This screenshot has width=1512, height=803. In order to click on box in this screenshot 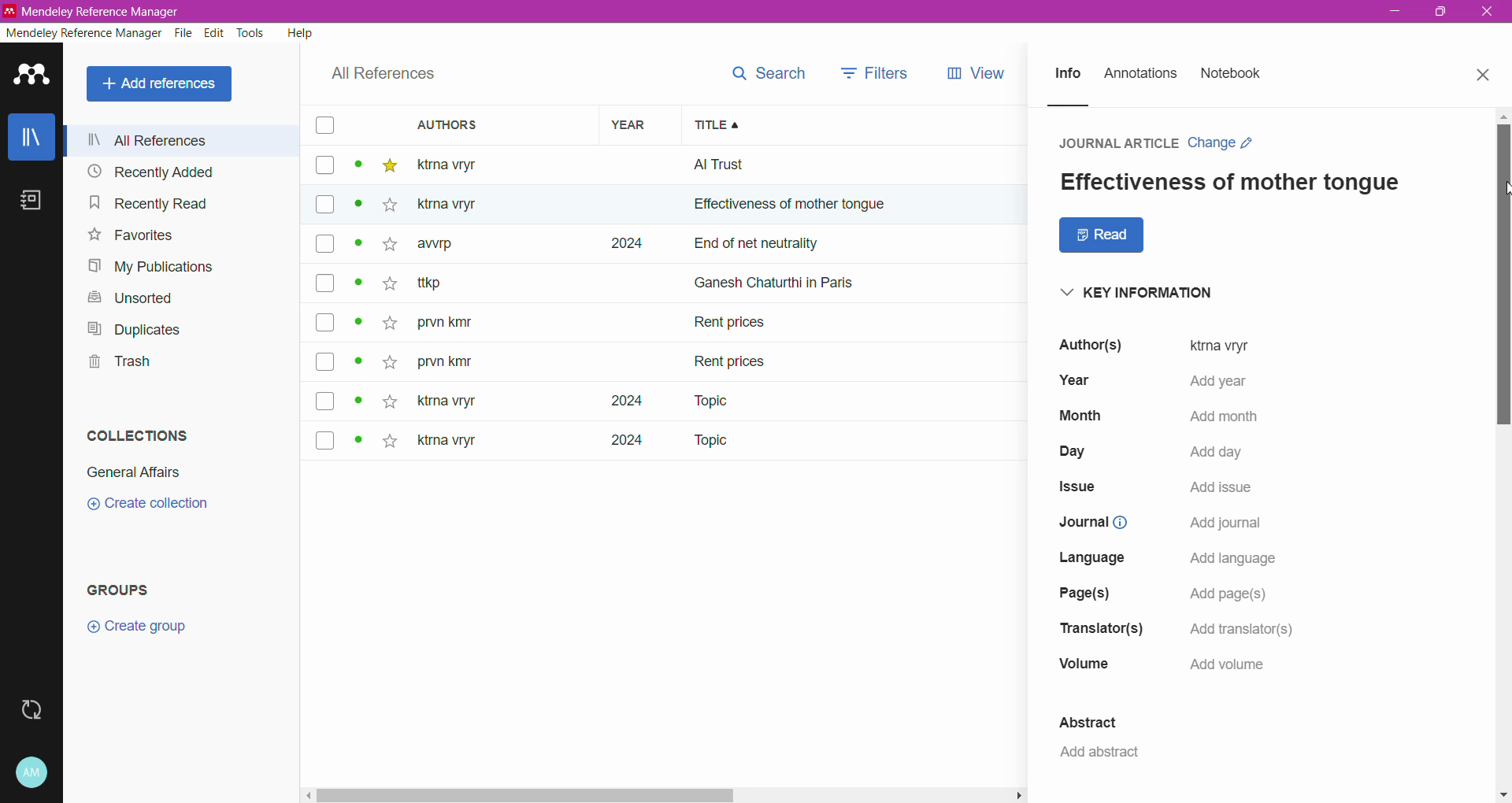, I will do `click(325, 246)`.